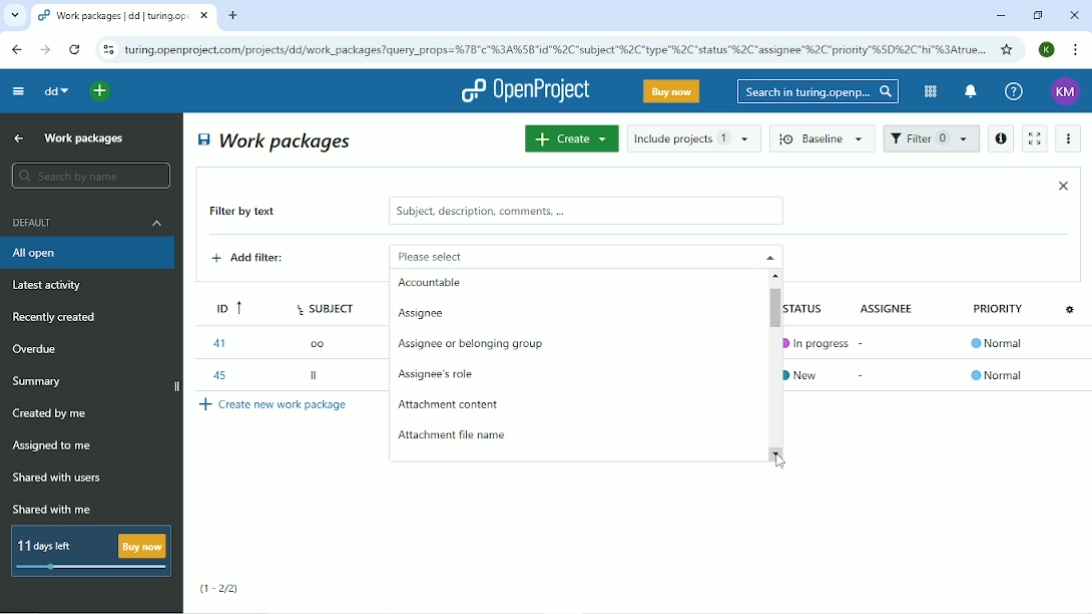 This screenshot has width=1092, height=614. I want to click on Search tabs, so click(15, 16).